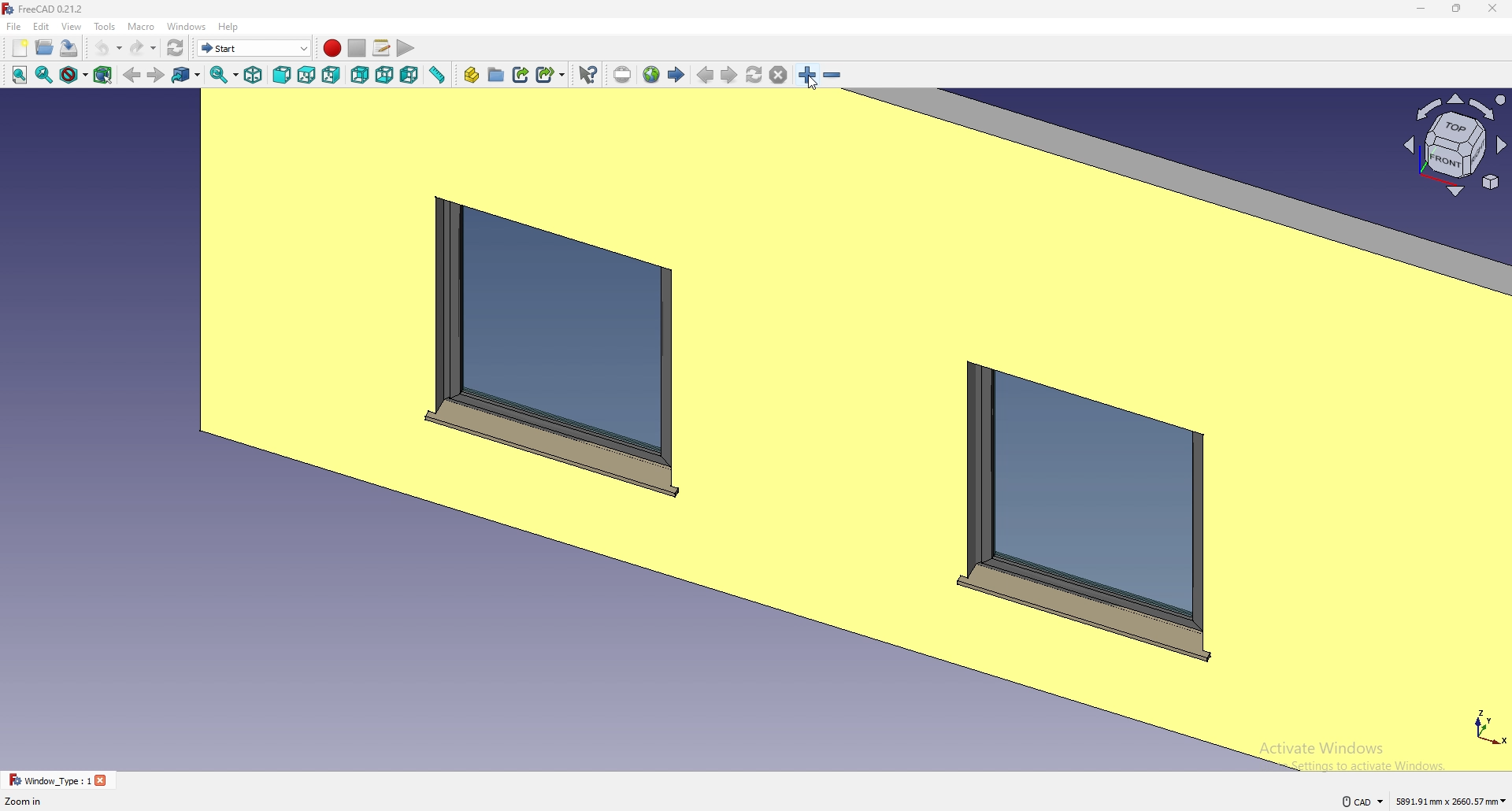 This screenshot has width=1512, height=811. I want to click on switch between workbenches, so click(254, 47).